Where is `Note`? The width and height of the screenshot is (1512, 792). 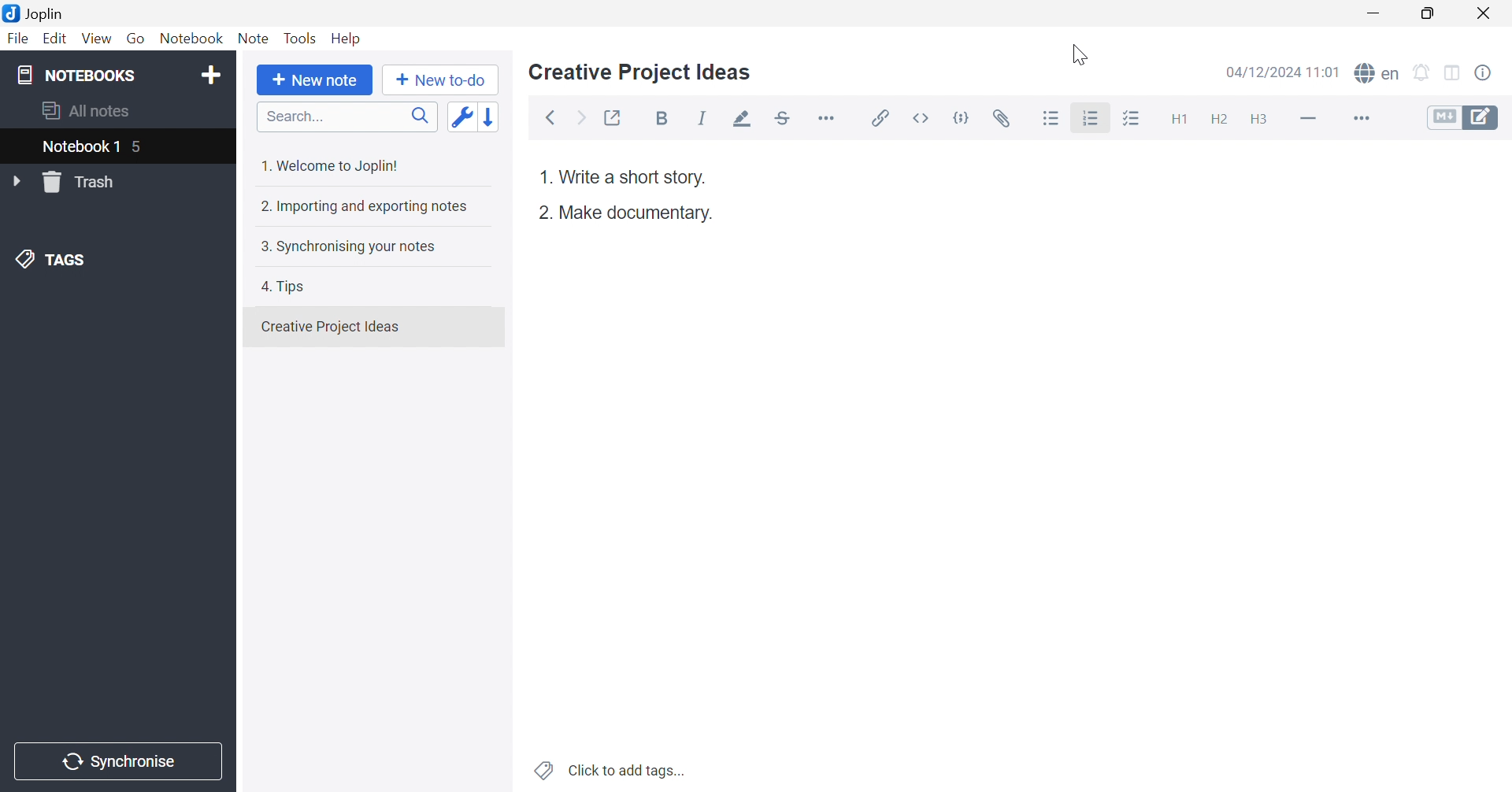
Note is located at coordinates (252, 39).